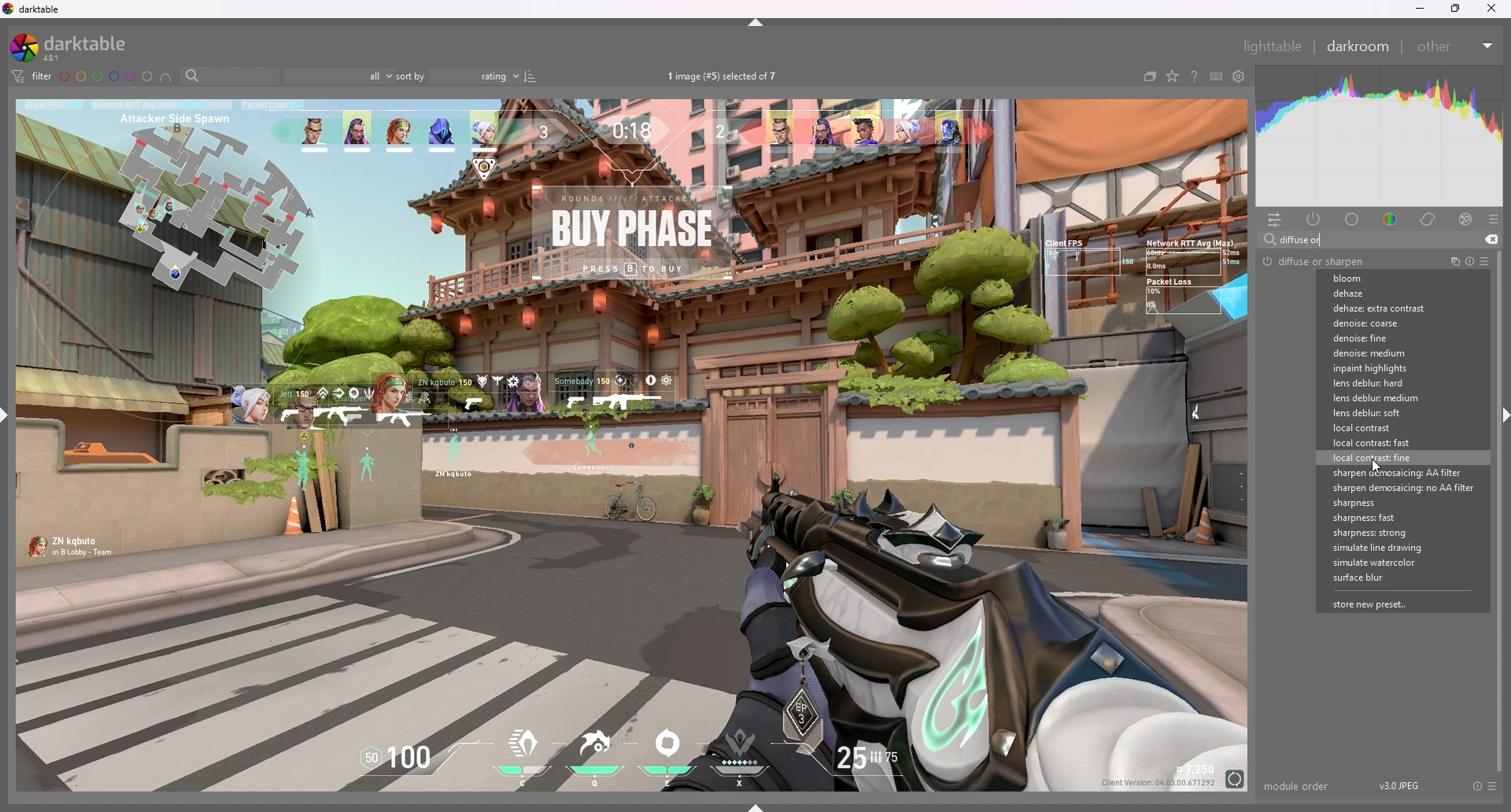 The width and height of the screenshot is (1511, 812). Describe the element at coordinates (1465, 219) in the screenshot. I see `effect` at that location.